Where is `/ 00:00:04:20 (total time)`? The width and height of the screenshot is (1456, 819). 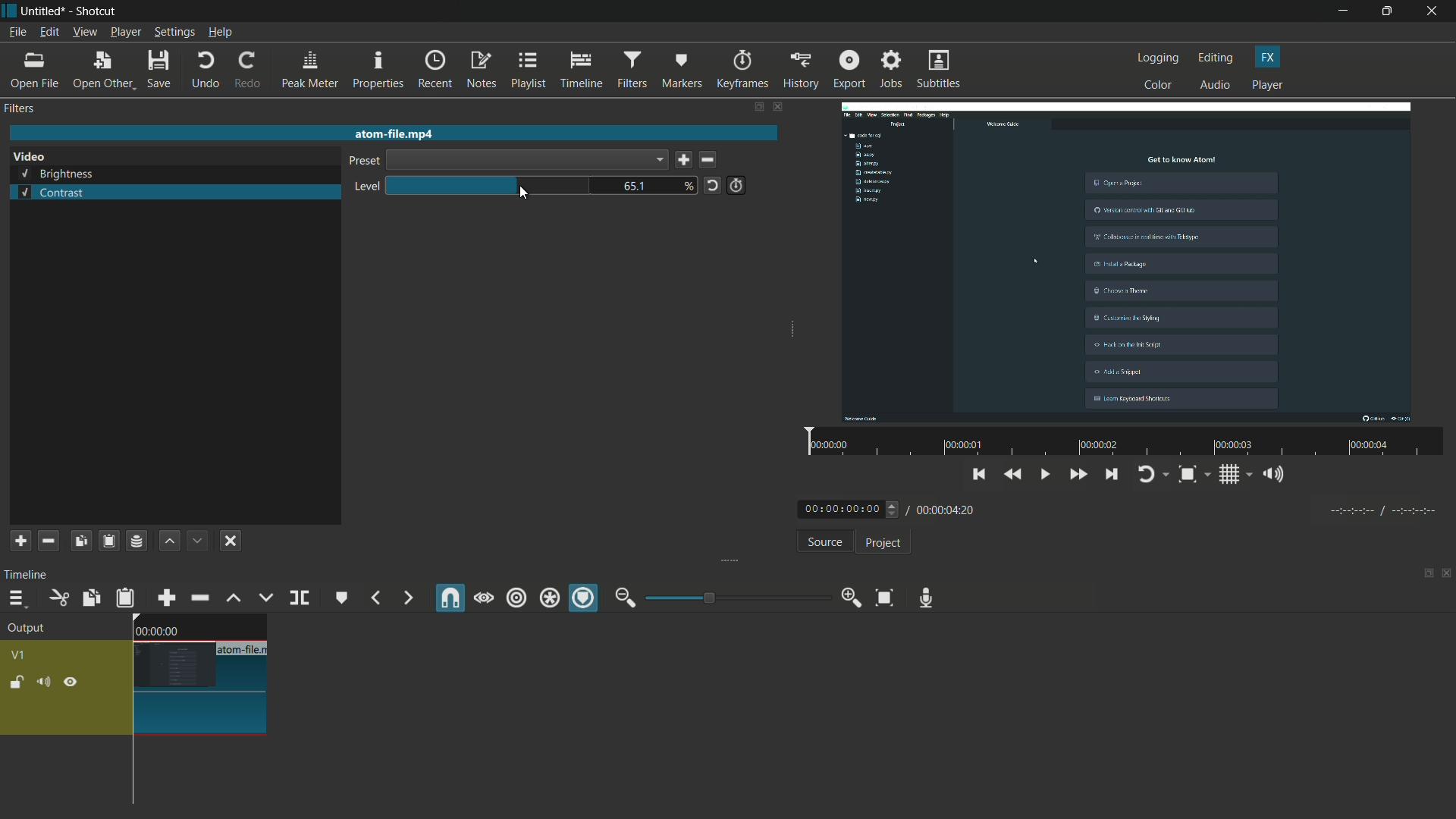
/ 00:00:04:20 (total time) is located at coordinates (943, 507).